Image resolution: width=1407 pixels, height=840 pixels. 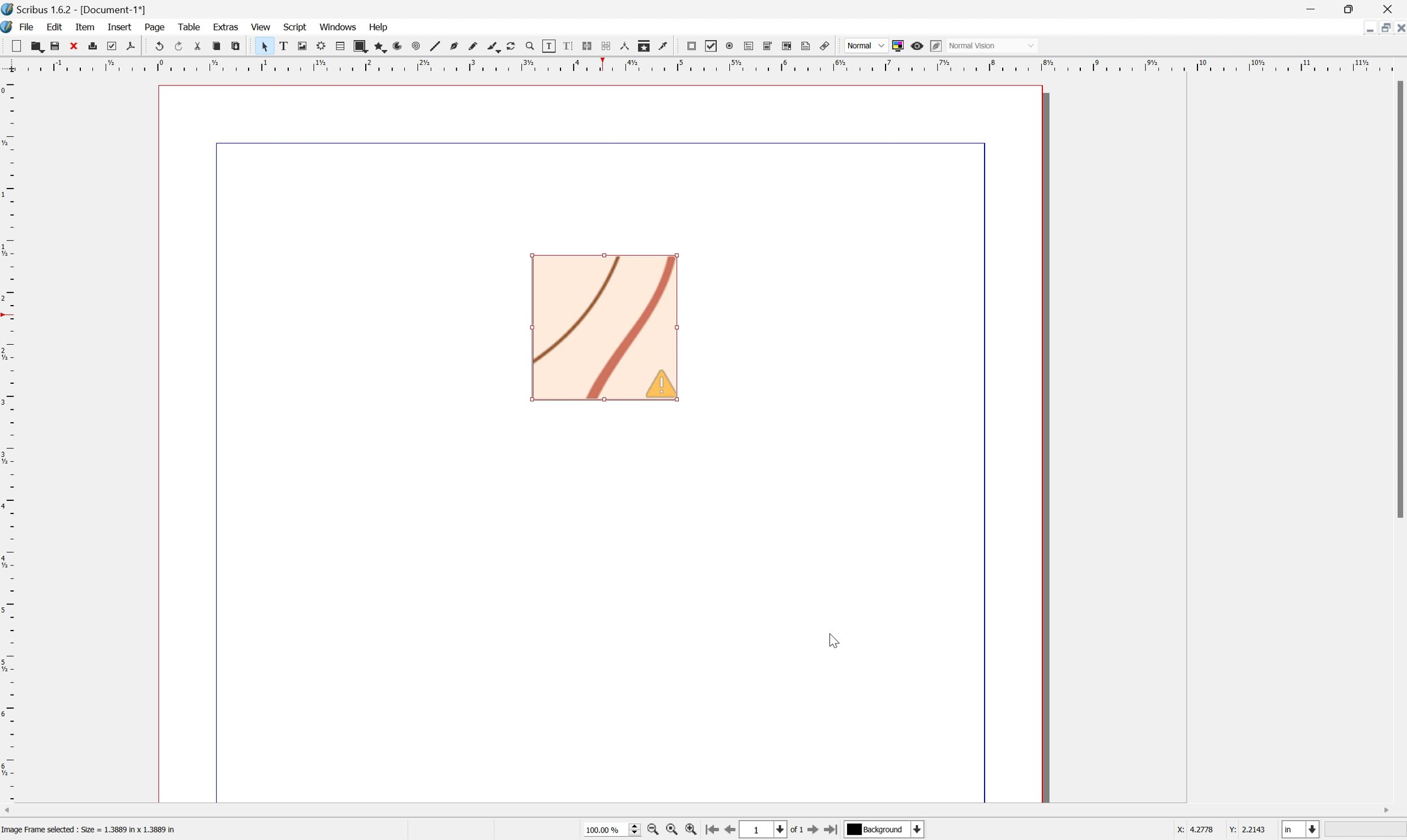 What do you see at coordinates (1302, 829) in the screenshot?
I see `select current unit` at bounding box center [1302, 829].